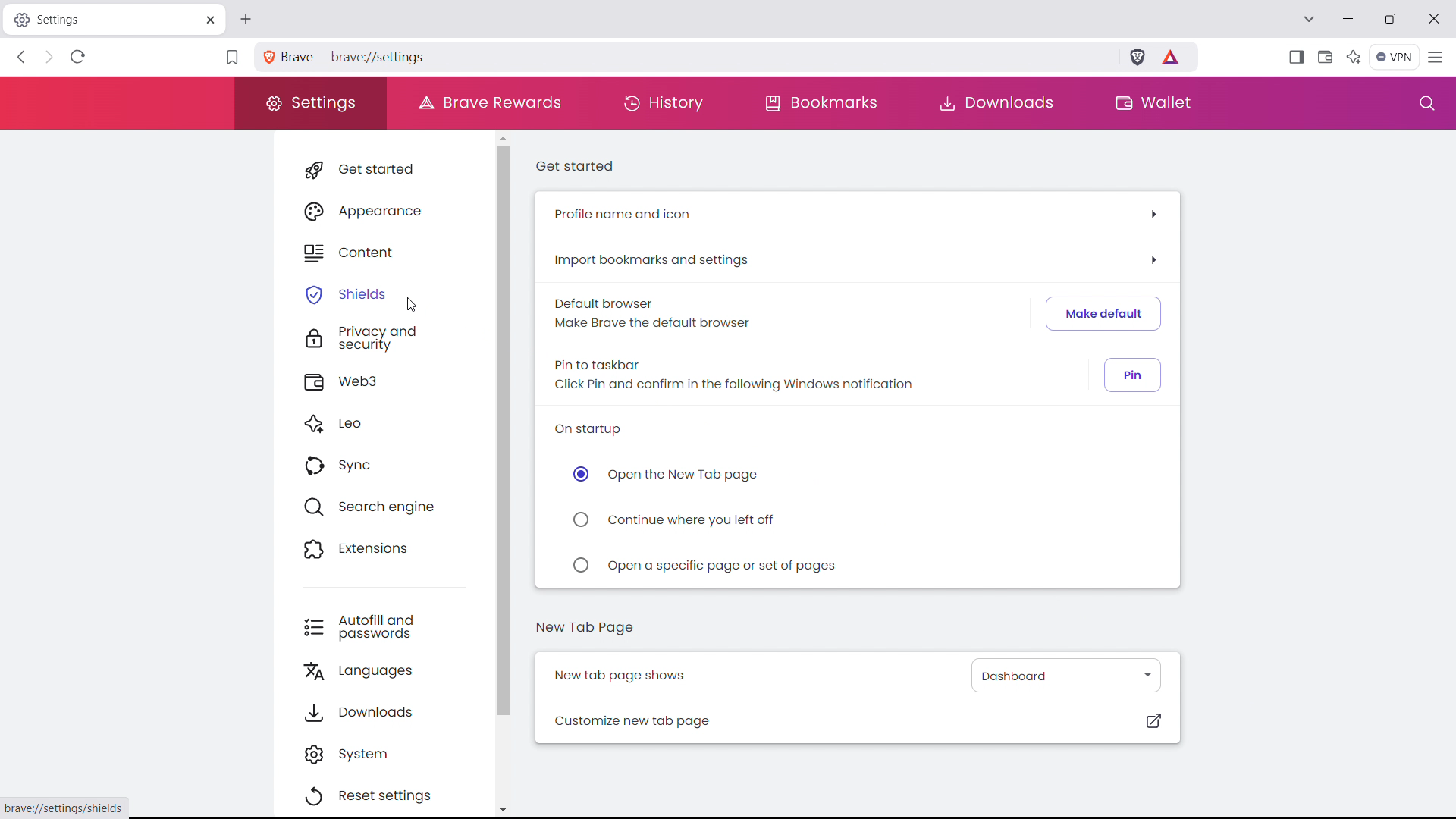 The height and width of the screenshot is (819, 1456). What do you see at coordinates (1394, 58) in the screenshot?
I see `vpn` at bounding box center [1394, 58].